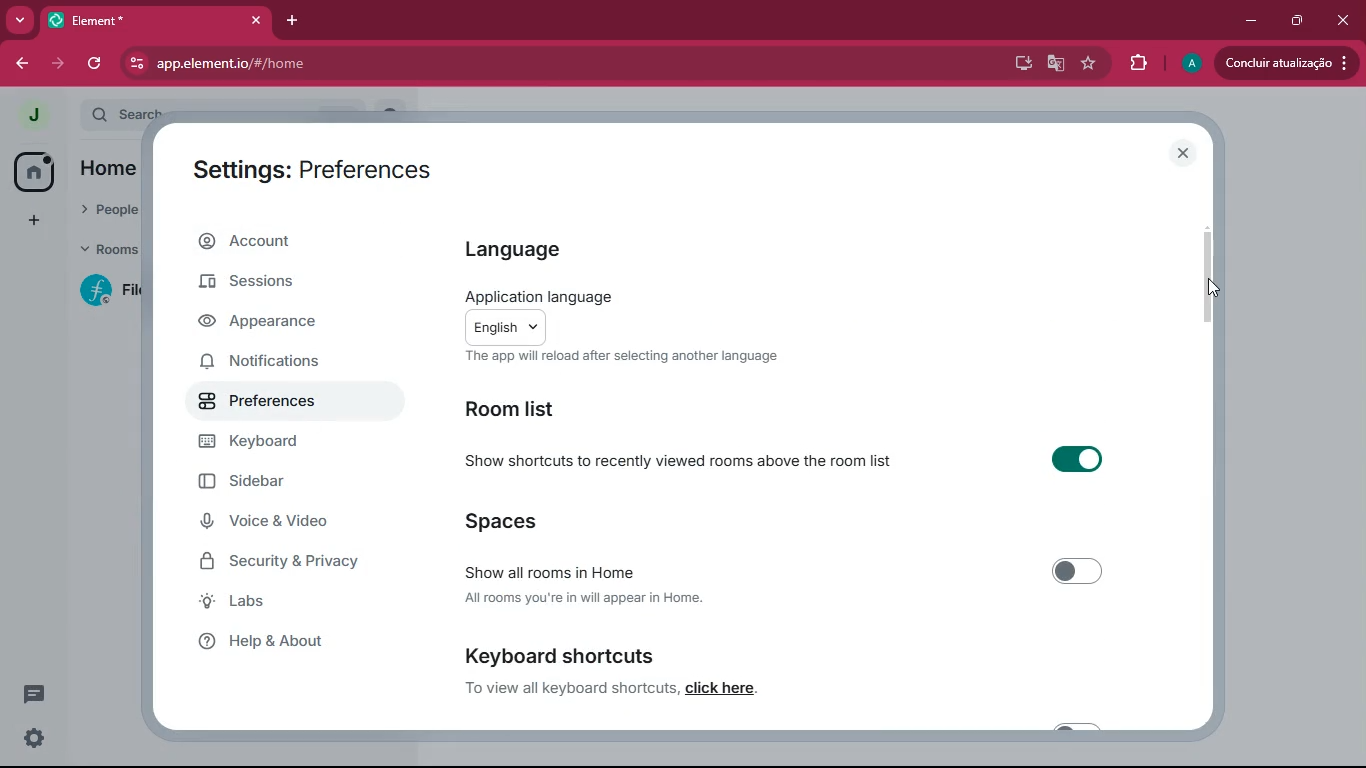  What do you see at coordinates (24, 115) in the screenshot?
I see `j` at bounding box center [24, 115].